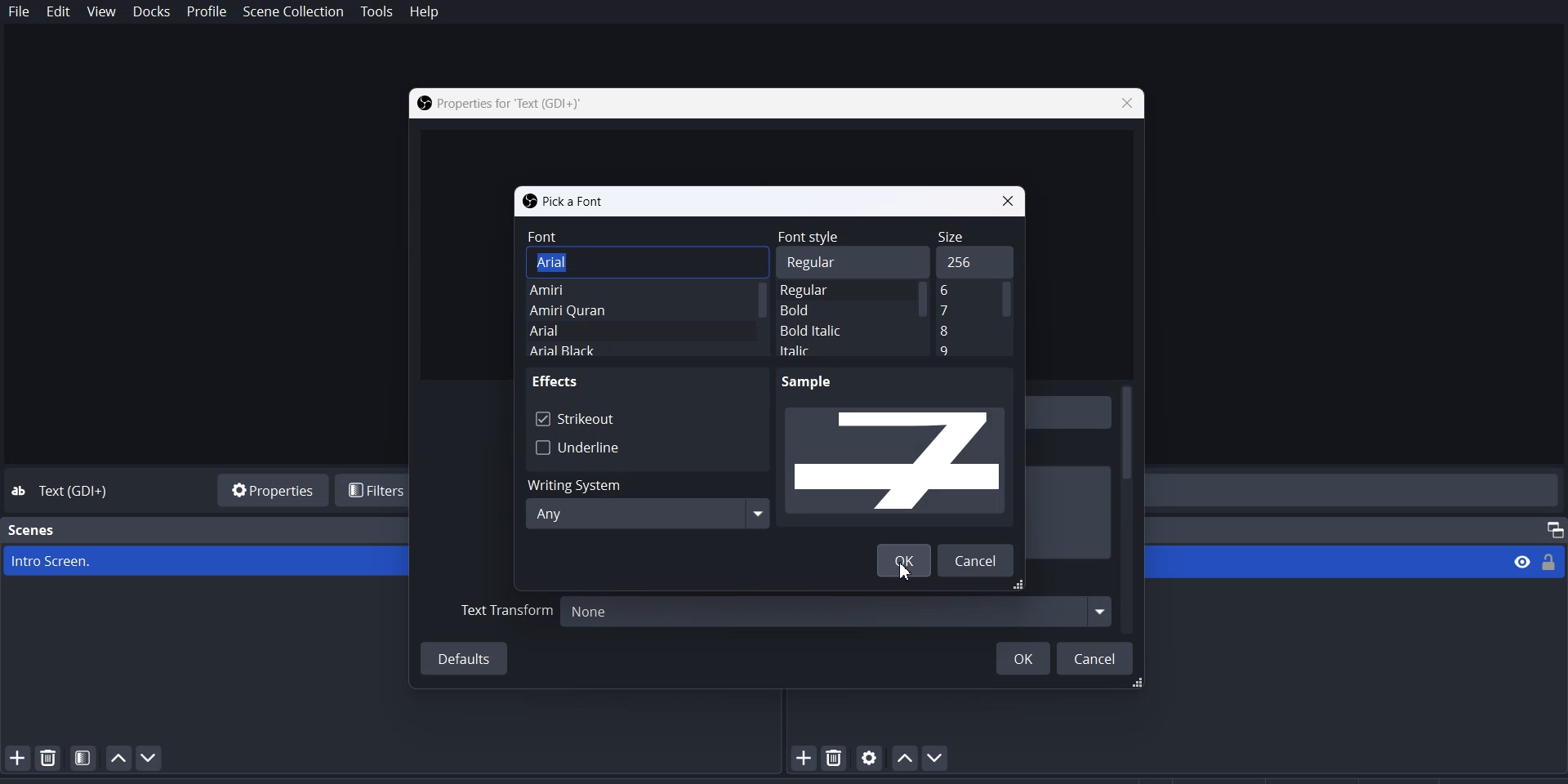 This screenshot has height=784, width=1568. What do you see at coordinates (1125, 104) in the screenshot?
I see `Close` at bounding box center [1125, 104].